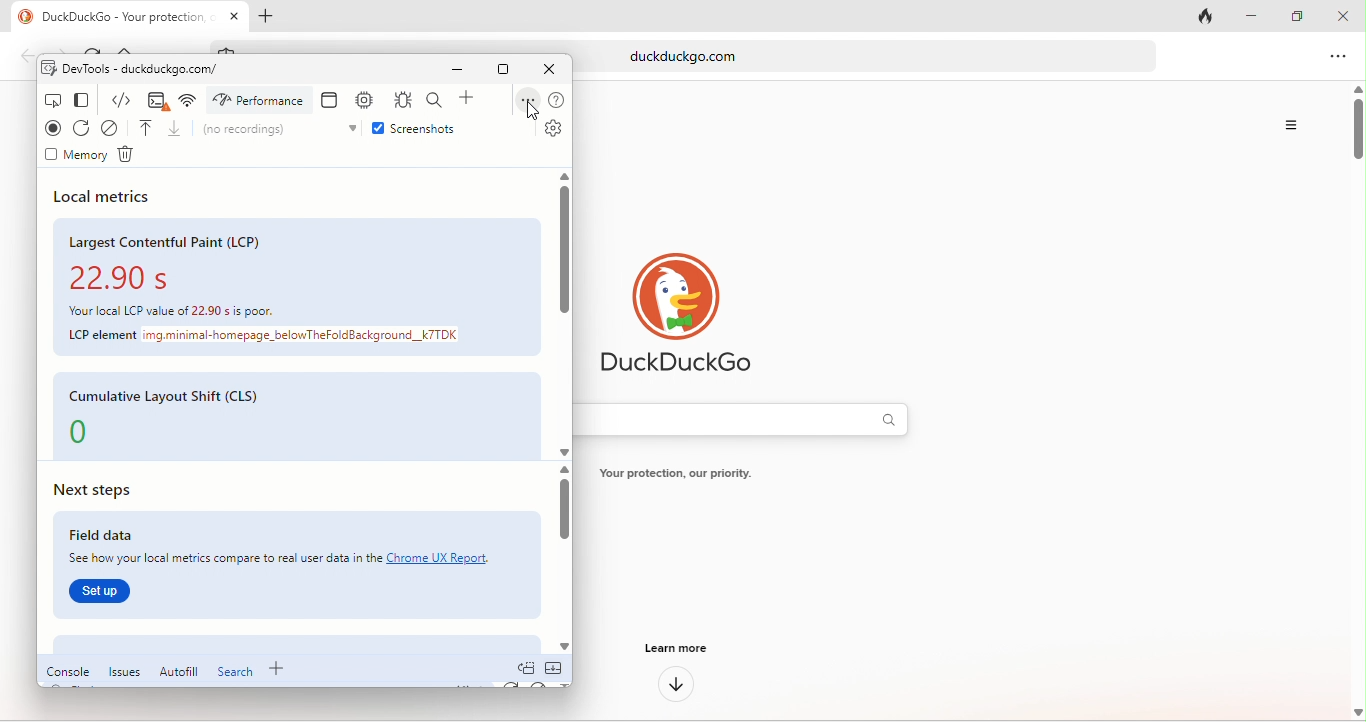 This screenshot has height=722, width=1366. I want to click on option, so click(1338, 59).